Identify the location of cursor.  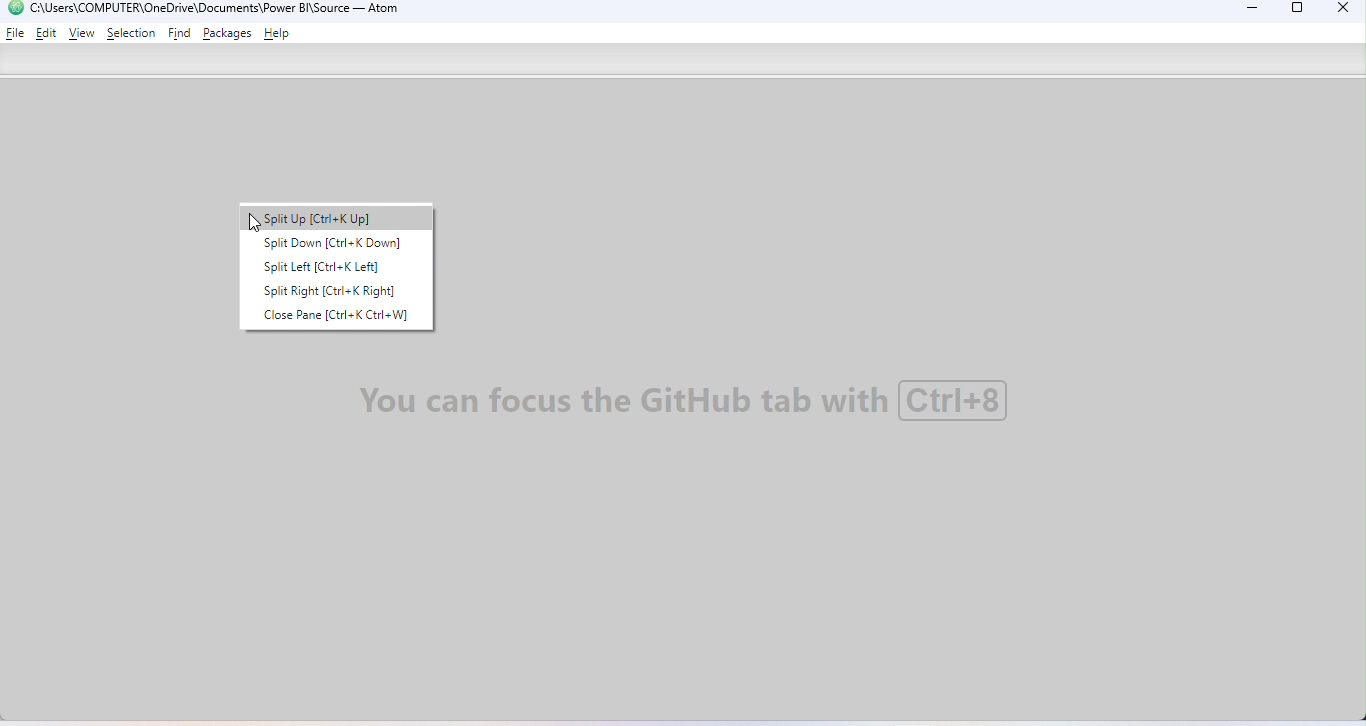
(254, 226).